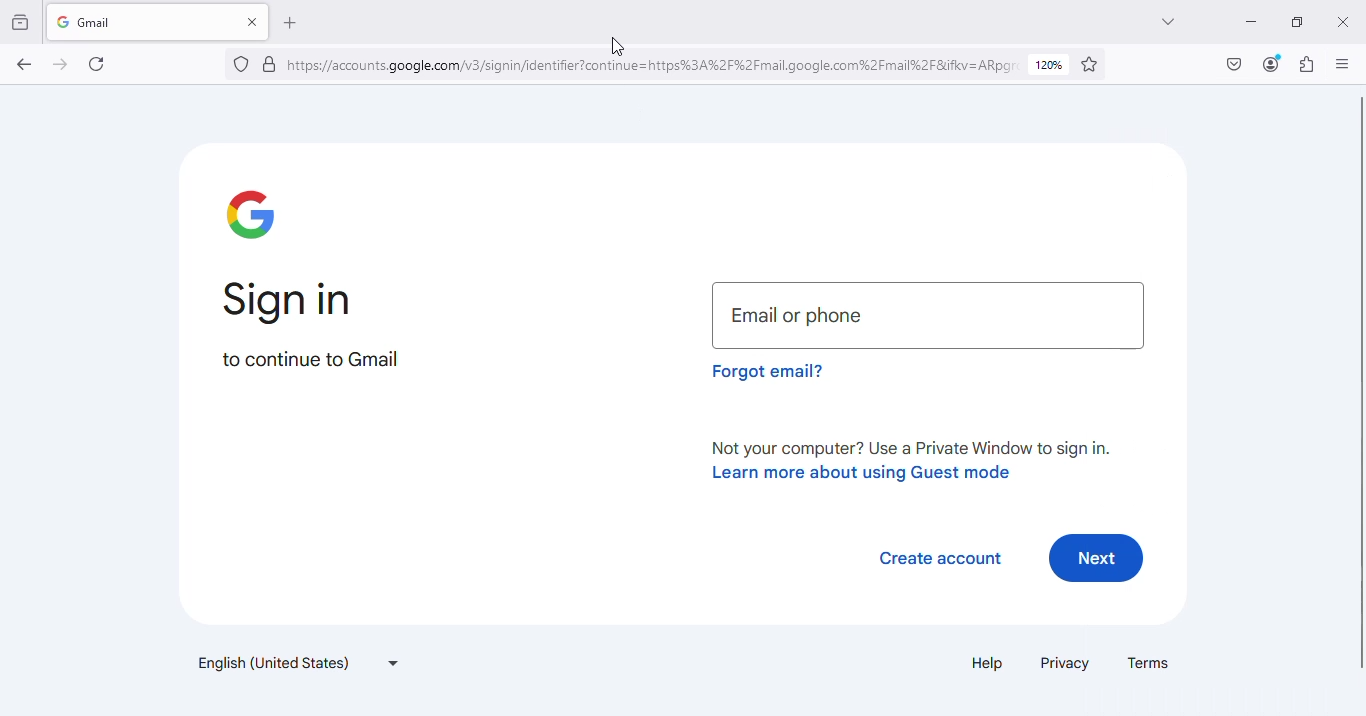 This screenshot has height=716, width=1366. Describe the element at coordinates (927, 315) in the screenshot. I see `email or phone` at that location.